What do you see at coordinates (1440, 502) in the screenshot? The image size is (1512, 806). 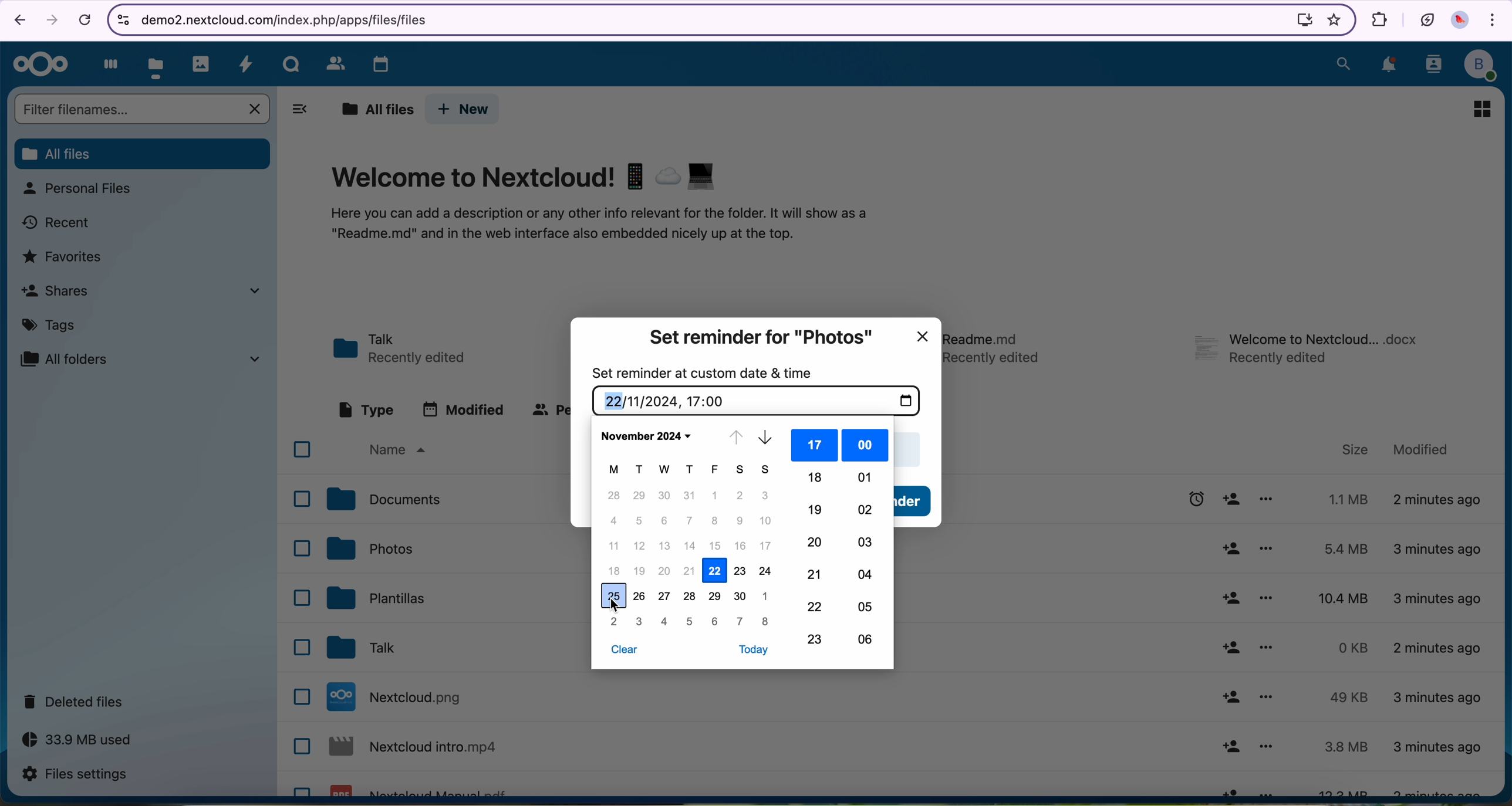 I see `2 minutes ago` at bounding box center [1440, 502].